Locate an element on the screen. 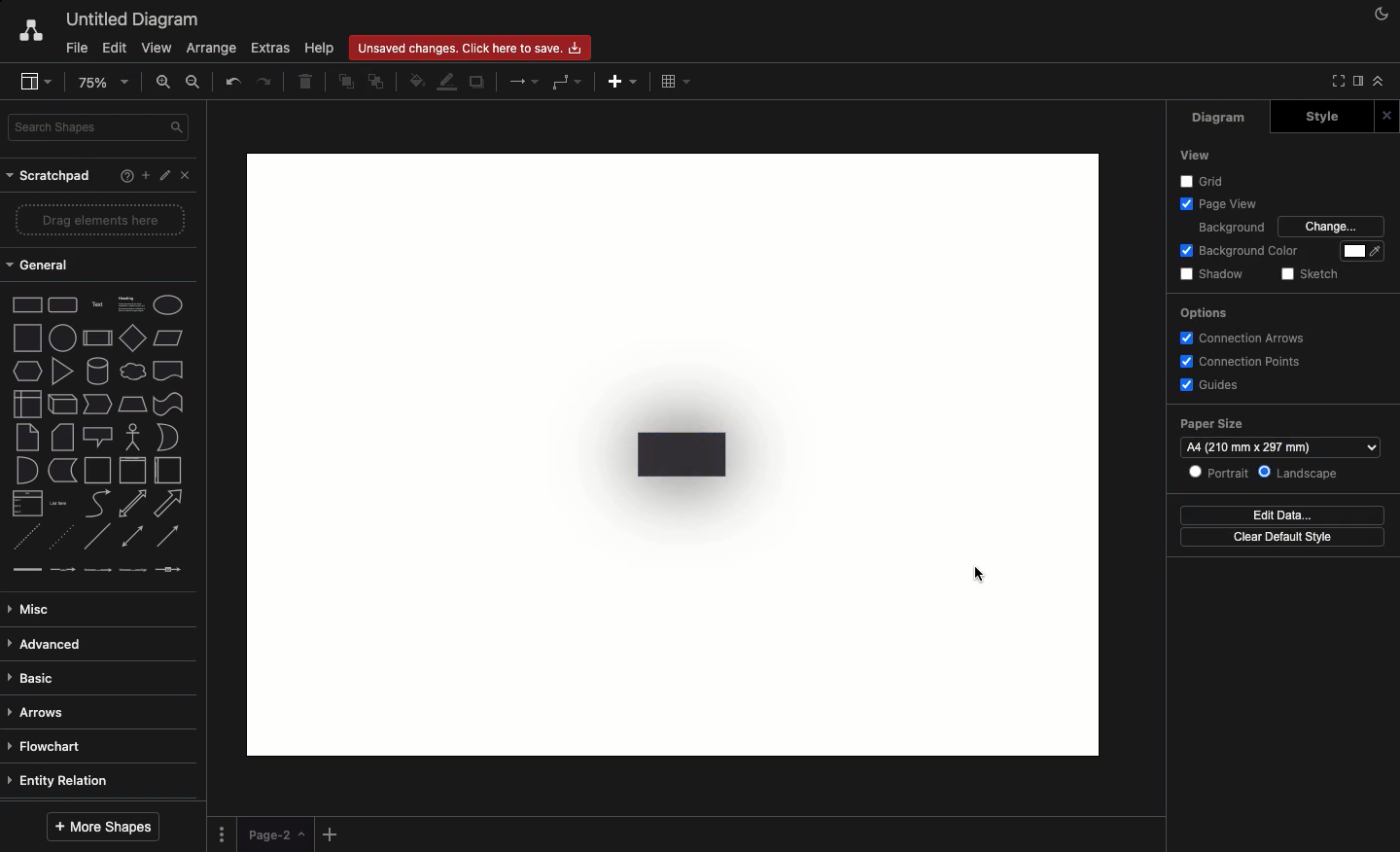 Image resolution: width=1400 pixels, height=852 pixels. Change is located at coordinates (1329, 226).